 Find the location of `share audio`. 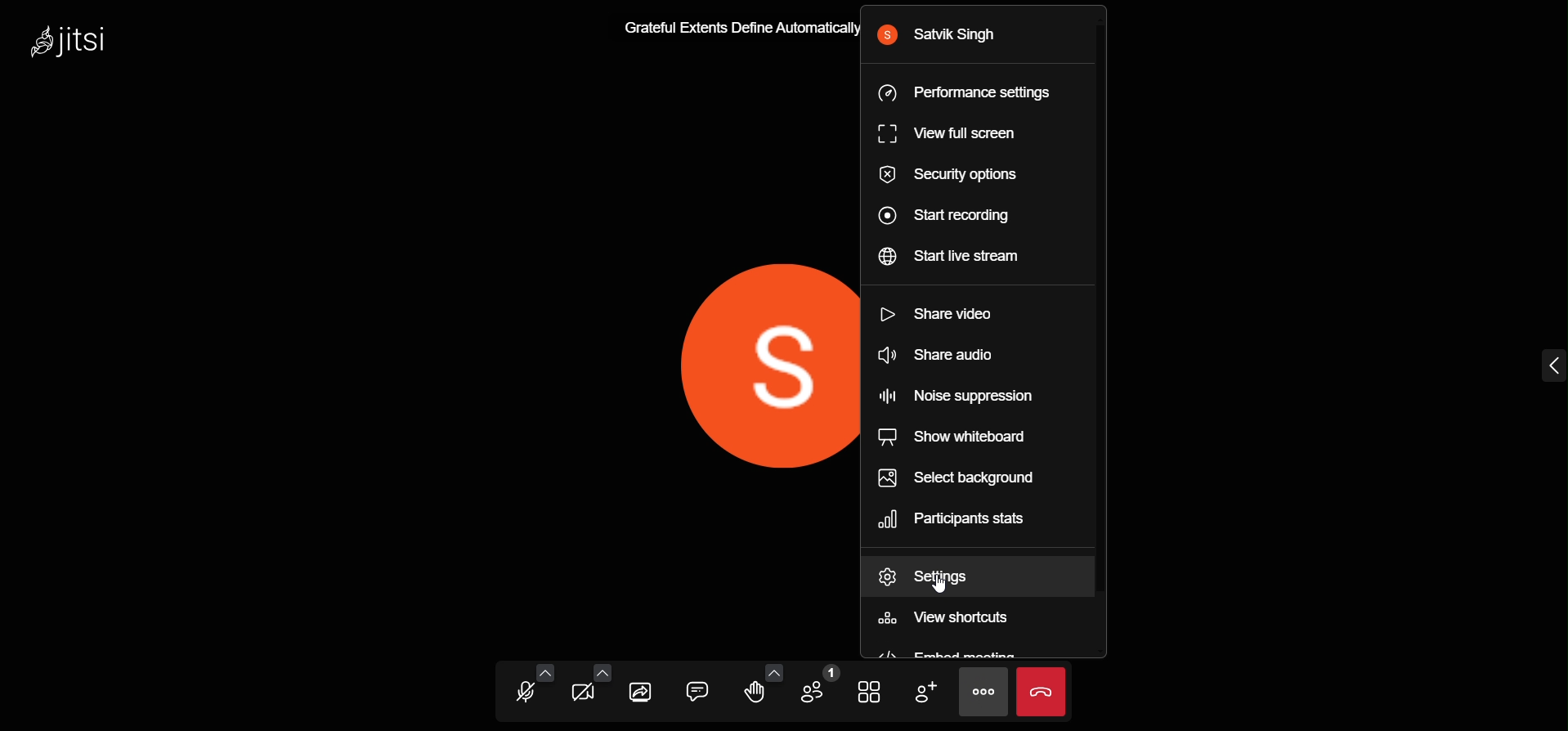

share audio is located at coordinates (946, 355).